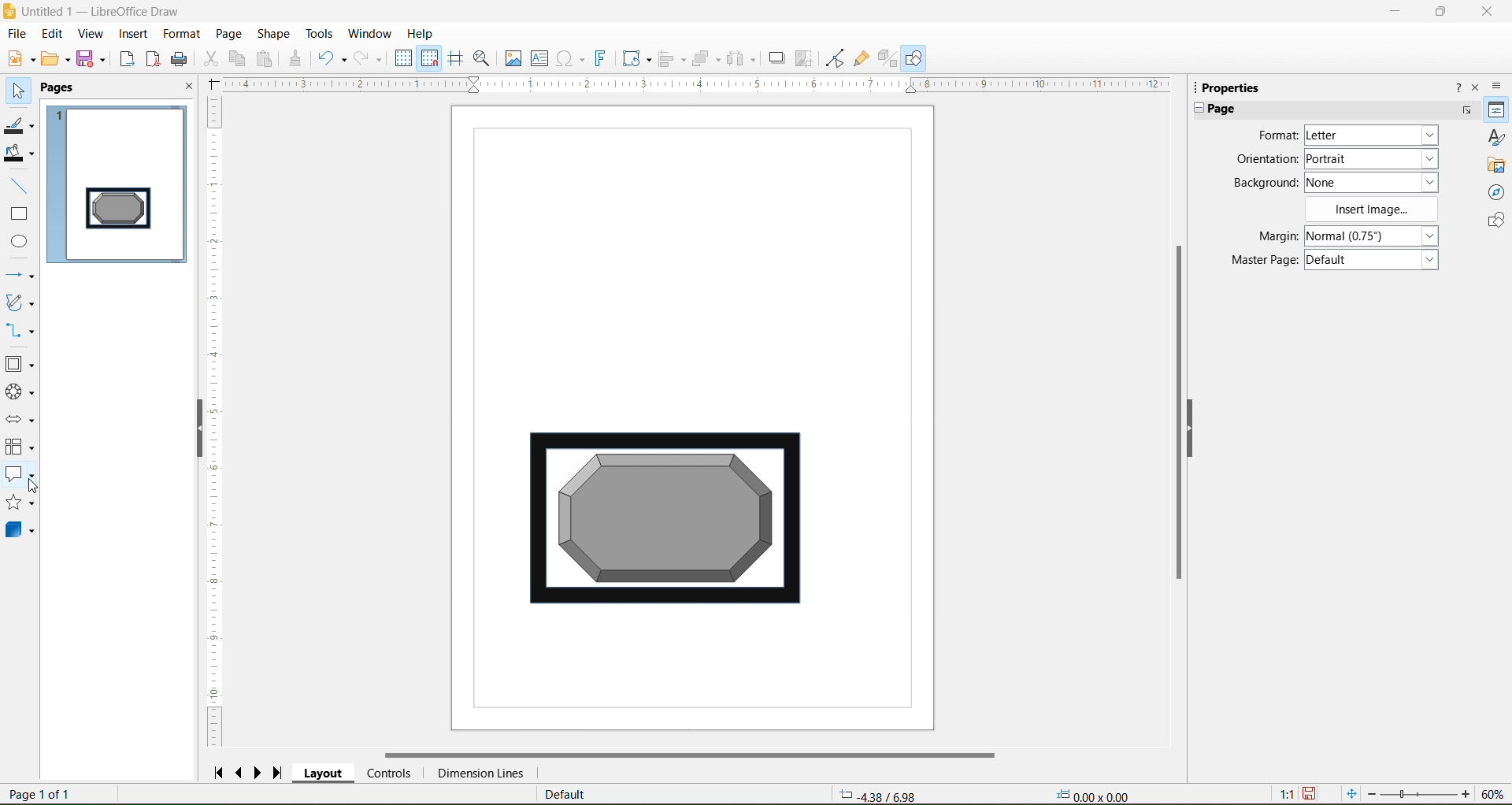  Describe the element at coordinates (804, 57) in the screenshot. I see `Crop Image` at that location.